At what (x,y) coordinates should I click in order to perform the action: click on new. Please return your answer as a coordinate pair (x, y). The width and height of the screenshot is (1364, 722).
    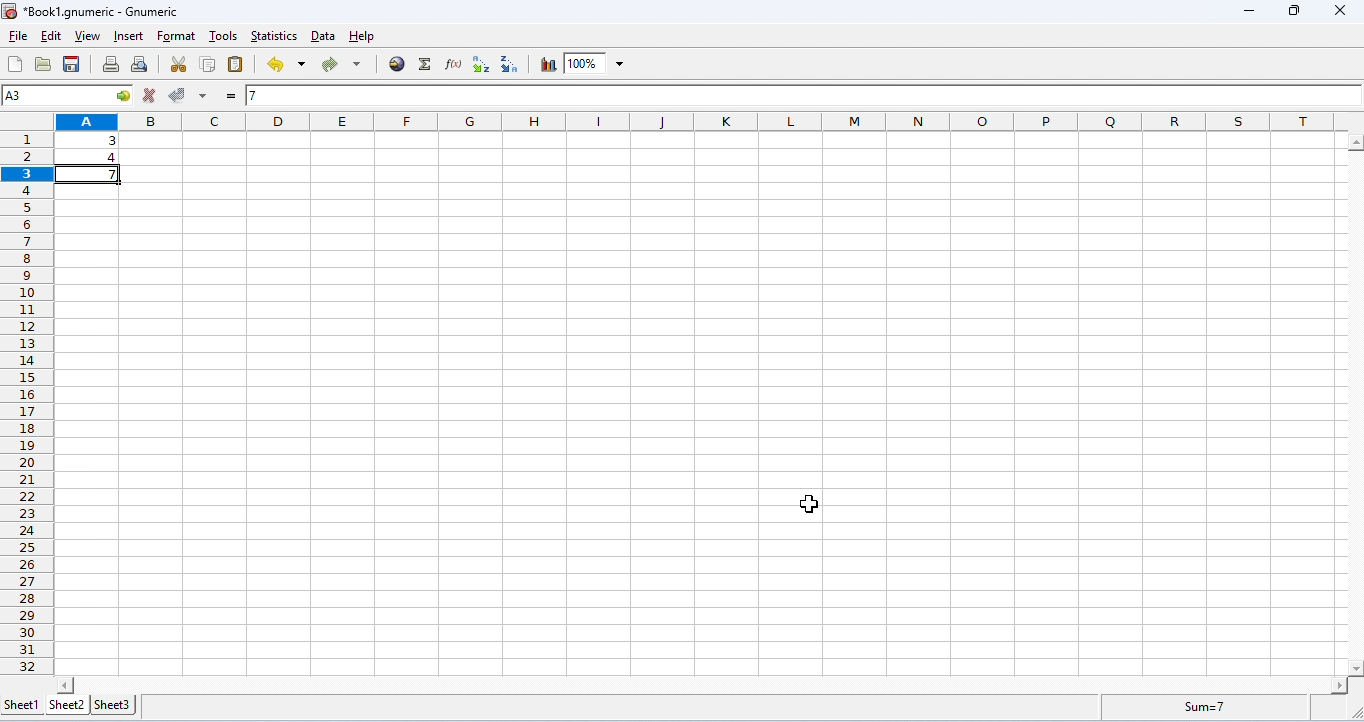
    Looking at the image, I should click on (16, 64).